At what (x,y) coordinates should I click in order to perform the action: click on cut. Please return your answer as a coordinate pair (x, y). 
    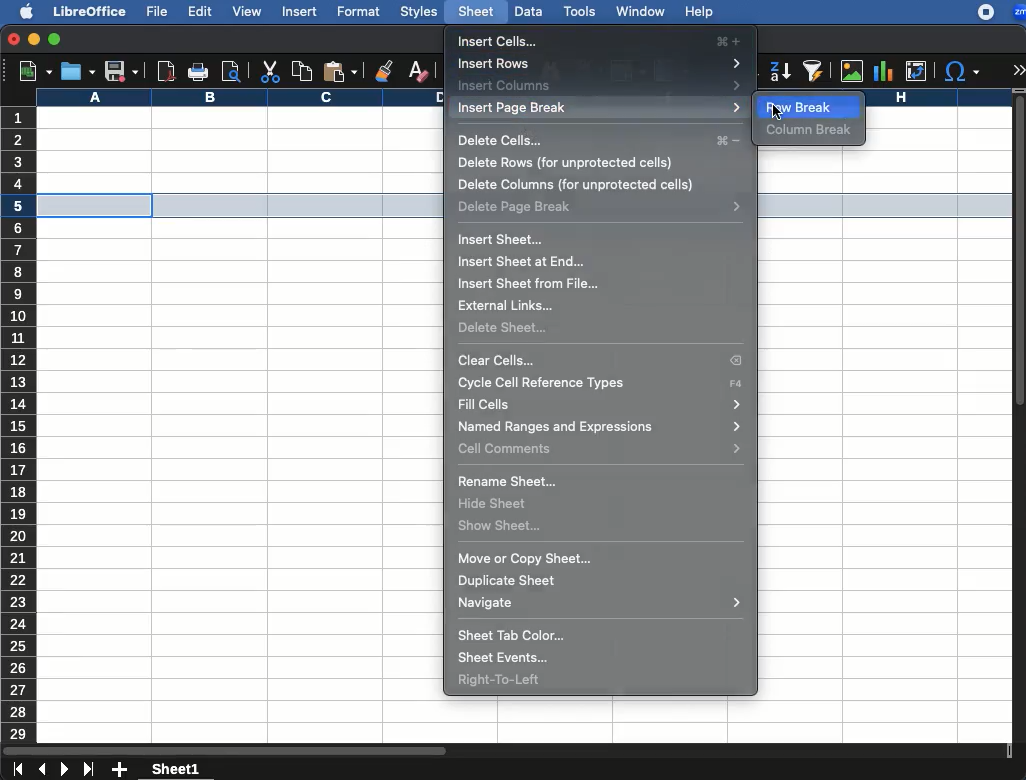
    Looking at the image, I should click on (271, 71).